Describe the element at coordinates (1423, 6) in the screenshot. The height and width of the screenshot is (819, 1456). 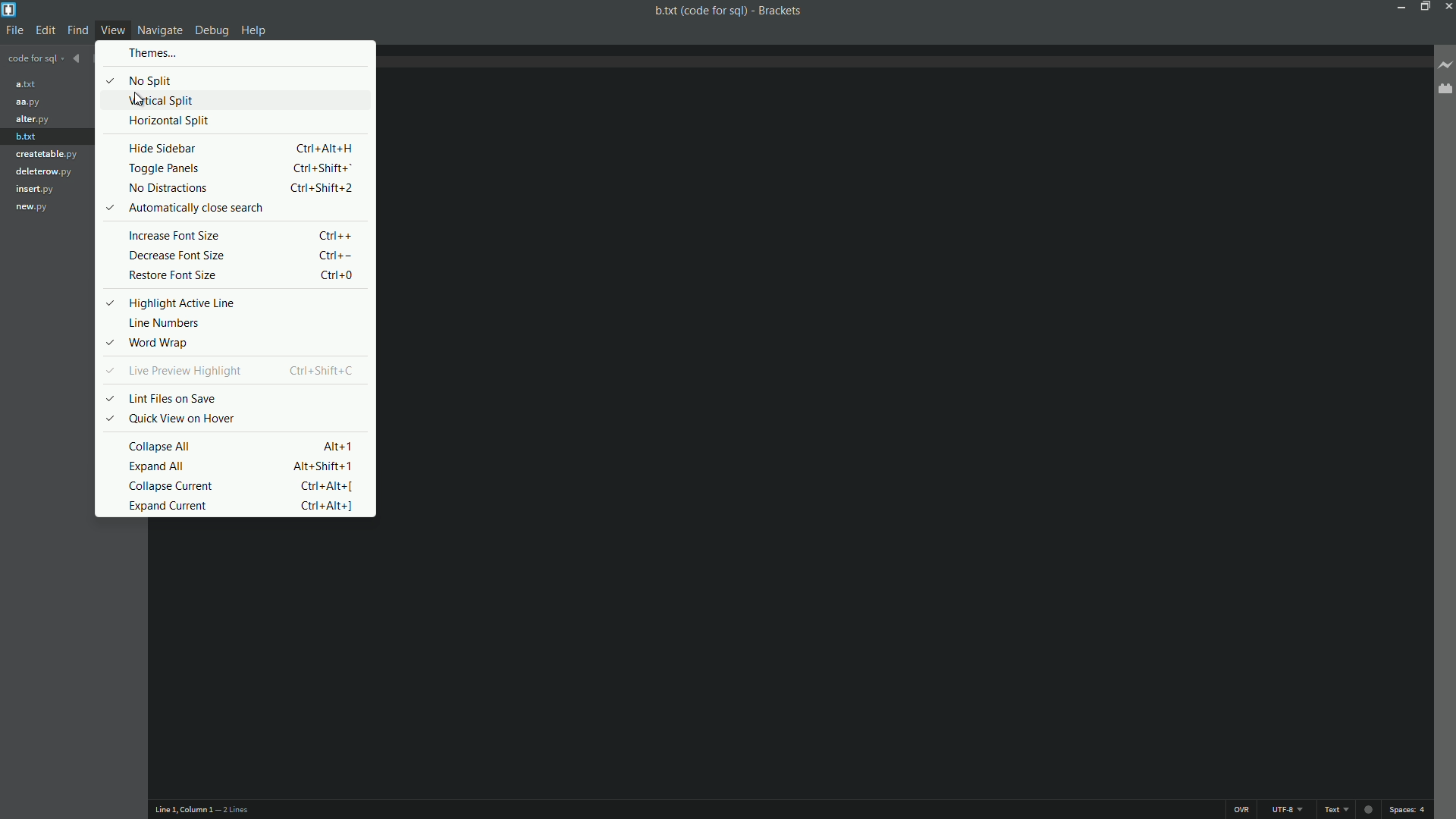
I see `Maximize` at that location.